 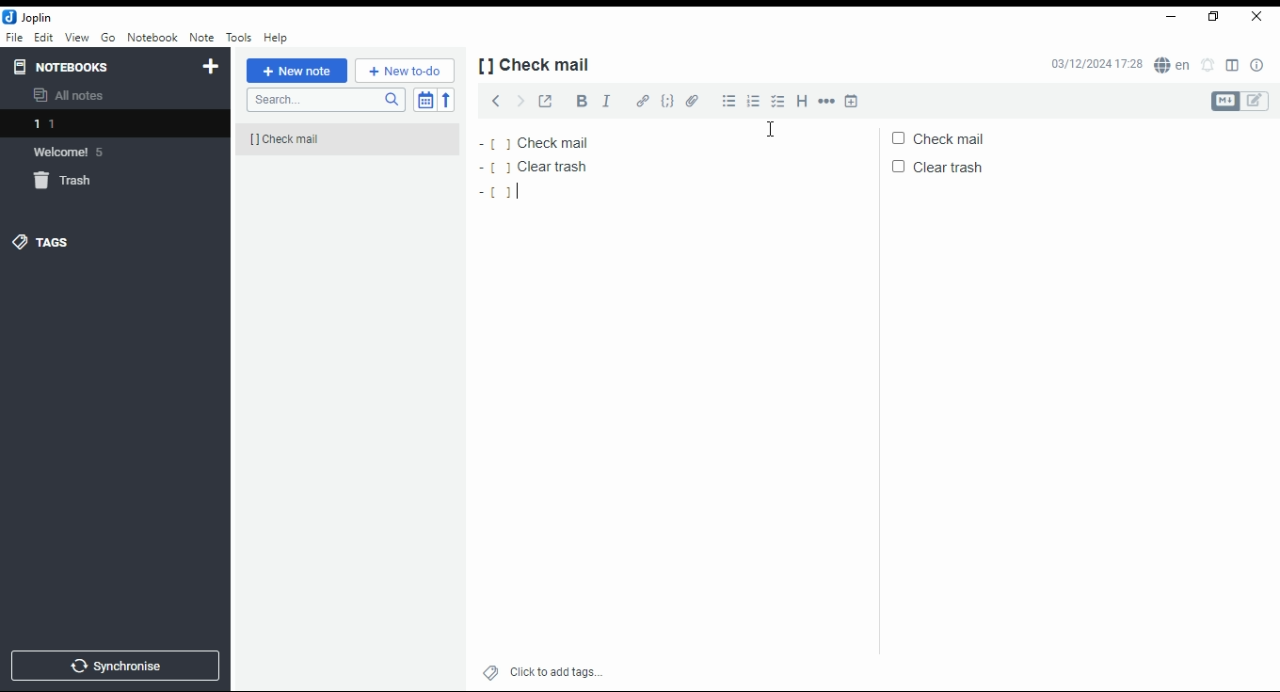 What do you see at coordinates (1170, 16) in the screenshot?
I see `minimize` at bounding box center [1170, 16].